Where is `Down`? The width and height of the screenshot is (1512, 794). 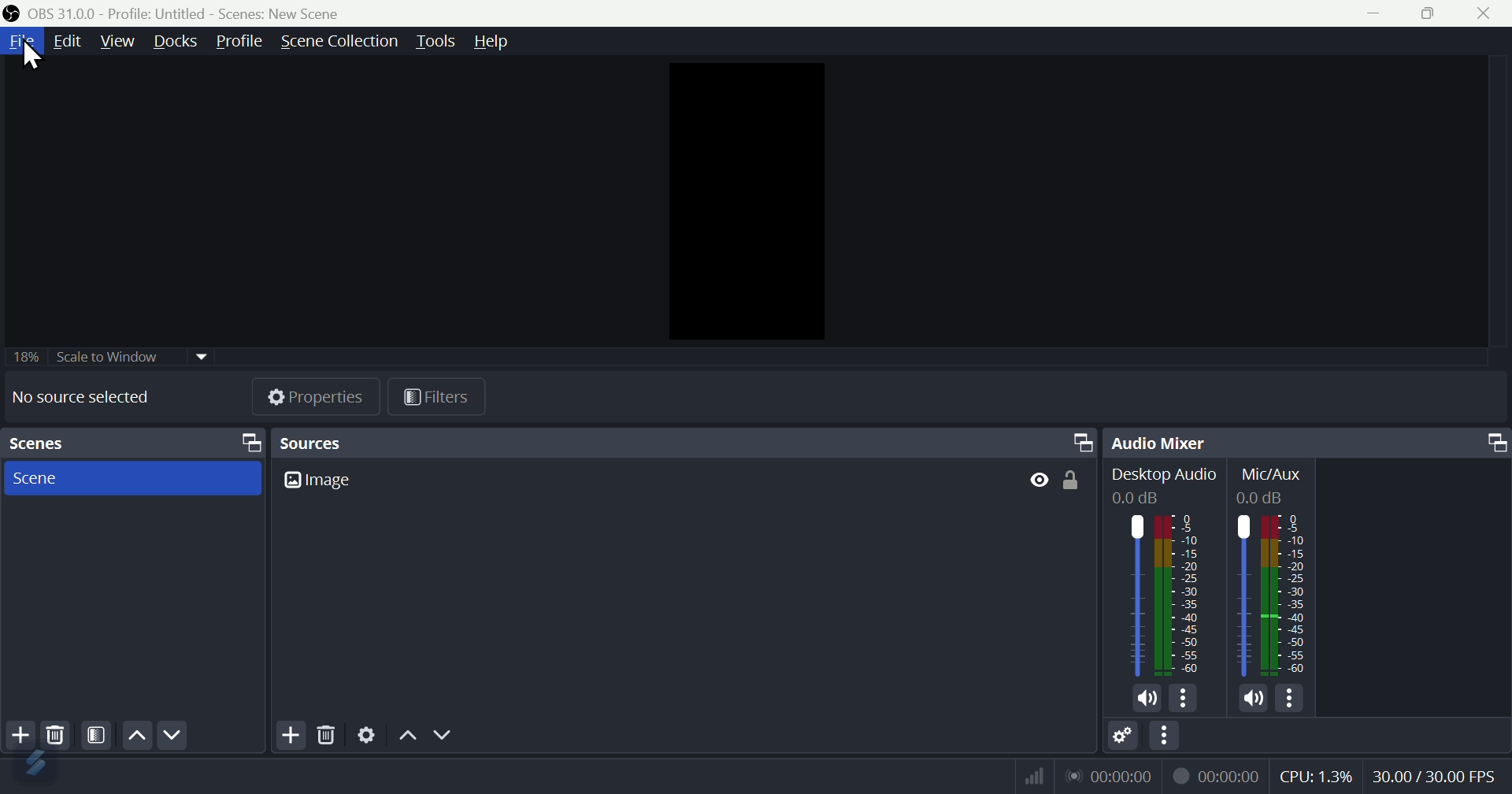 Down is located at coordinates (444, 734).